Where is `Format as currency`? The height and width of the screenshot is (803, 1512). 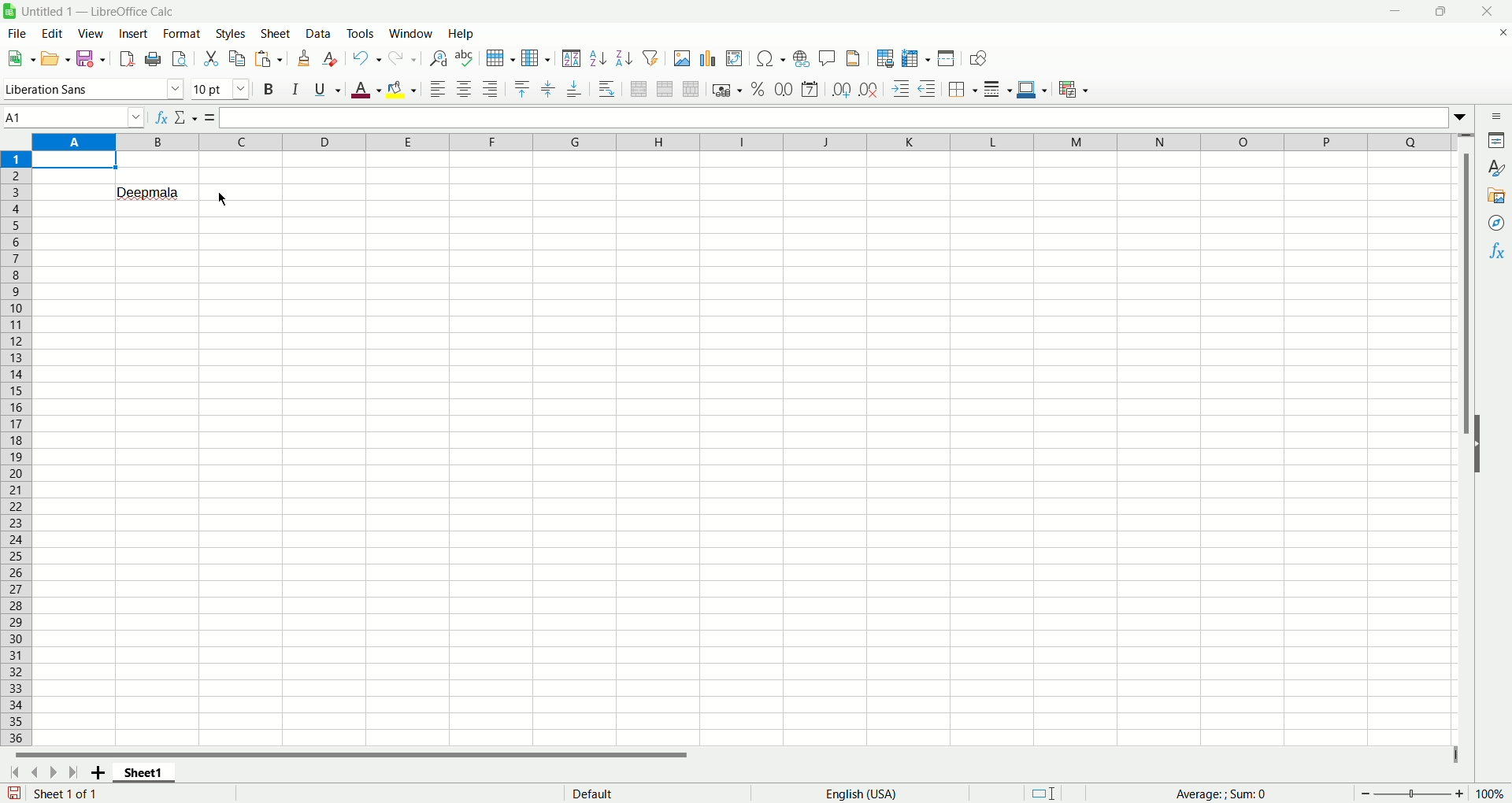 Format as currency is located at coordinates (727, 88).